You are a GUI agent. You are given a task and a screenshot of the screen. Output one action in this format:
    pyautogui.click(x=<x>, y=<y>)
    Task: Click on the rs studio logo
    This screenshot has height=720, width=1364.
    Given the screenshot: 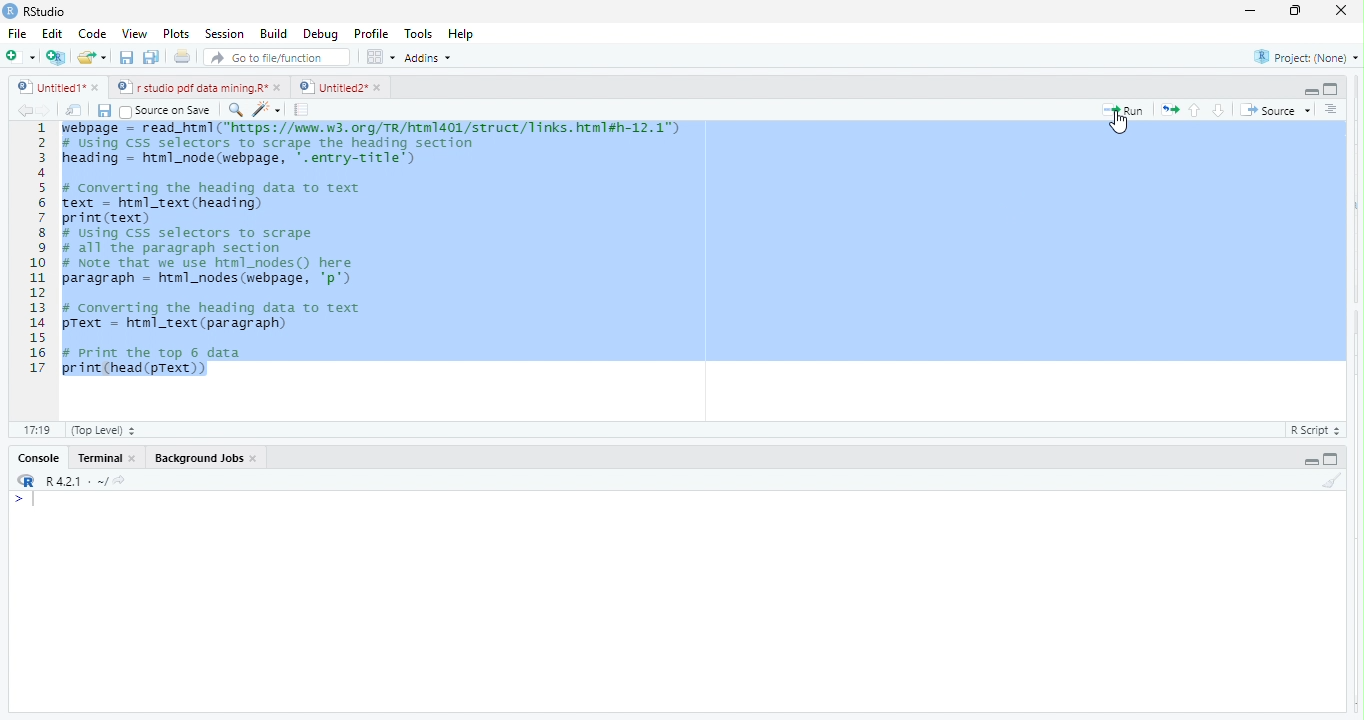 What is the action you would take?
    pyautogui.click(x=26, y=481)
    